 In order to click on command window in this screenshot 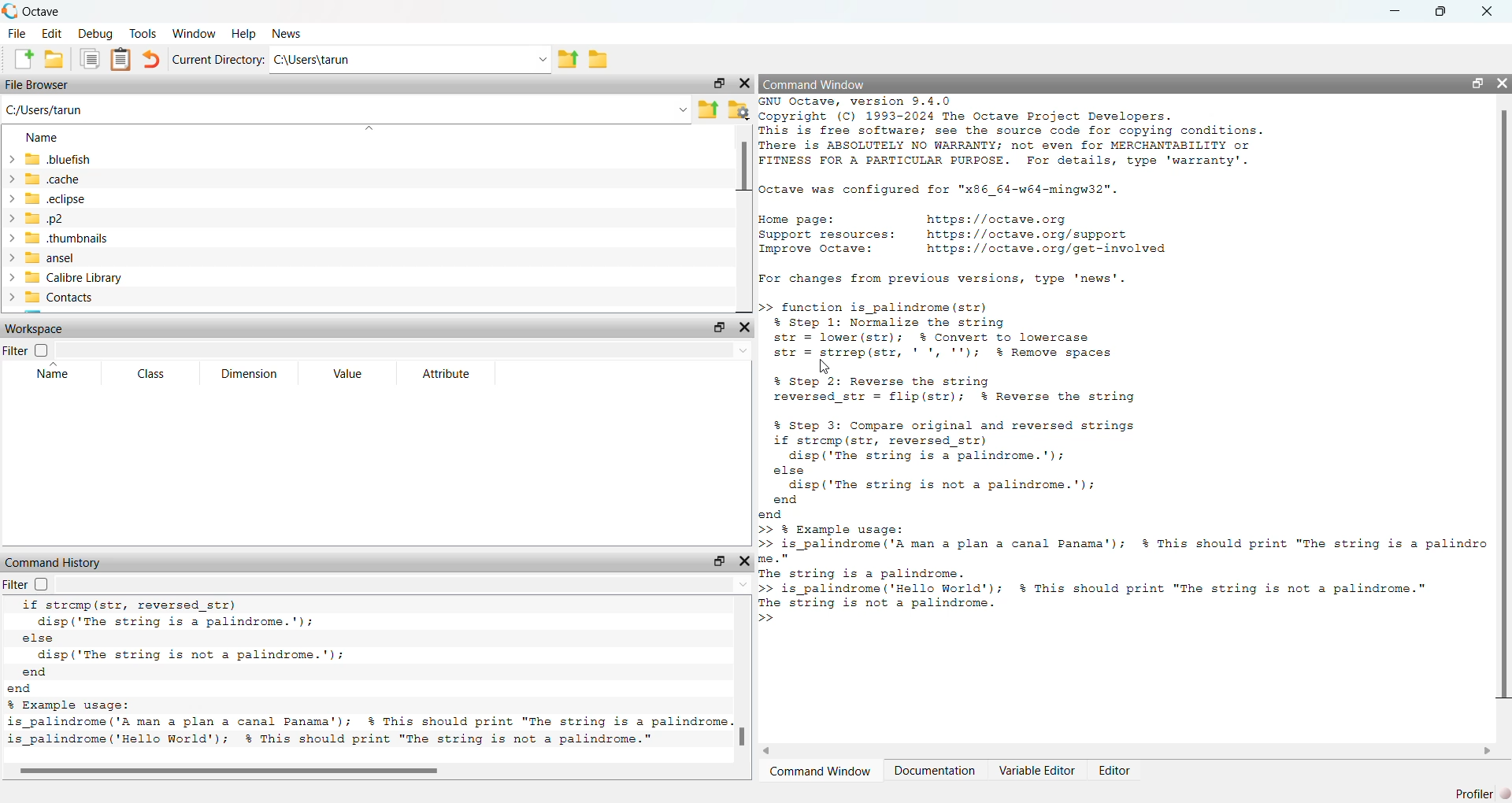, I will do `click(817, 84)`.